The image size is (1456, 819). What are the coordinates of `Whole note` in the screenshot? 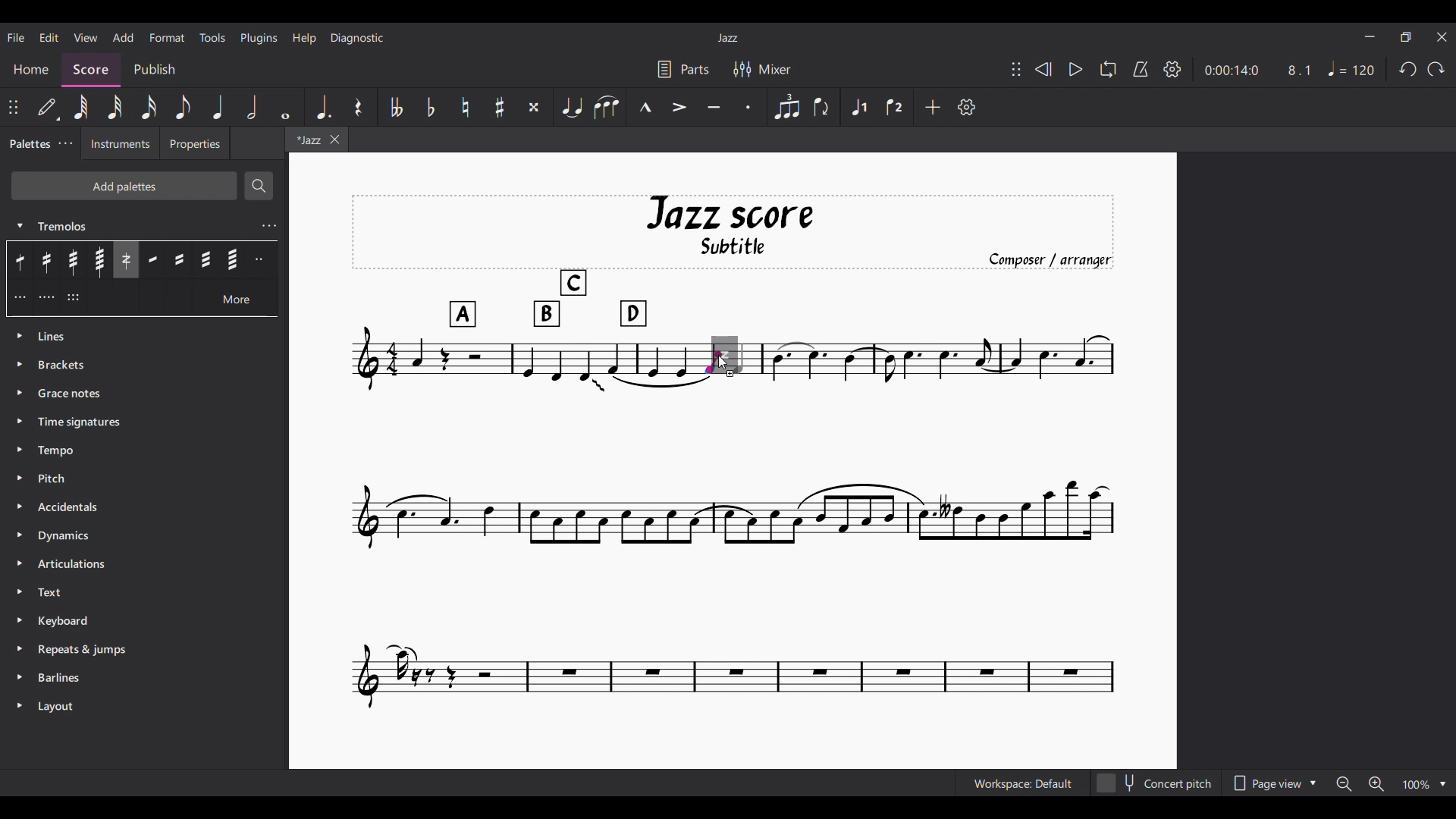 It's located at (287, 107).